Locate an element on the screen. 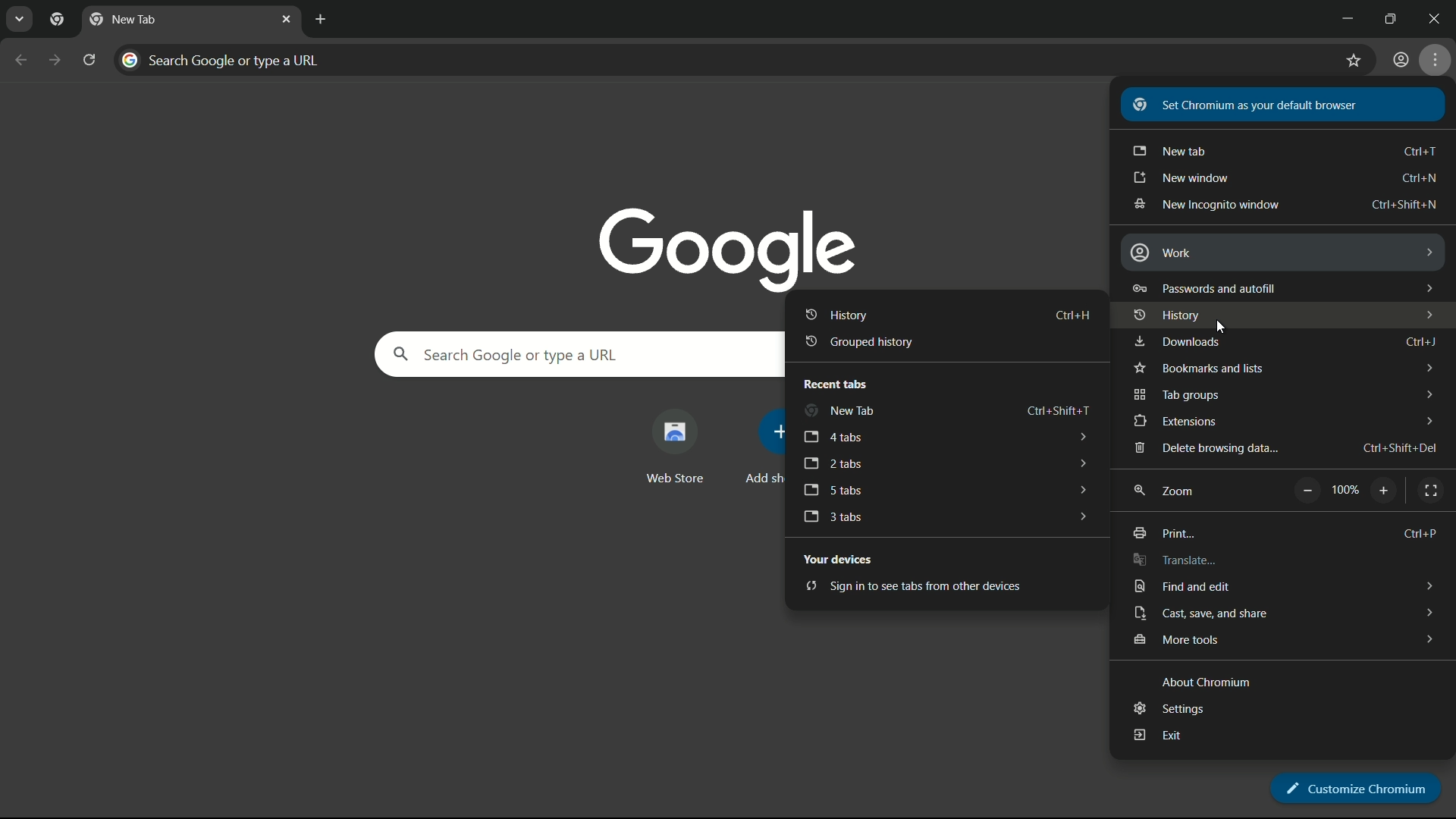 The image size is (1456, 819). new incognito window is located at coordinates (1204, 206).